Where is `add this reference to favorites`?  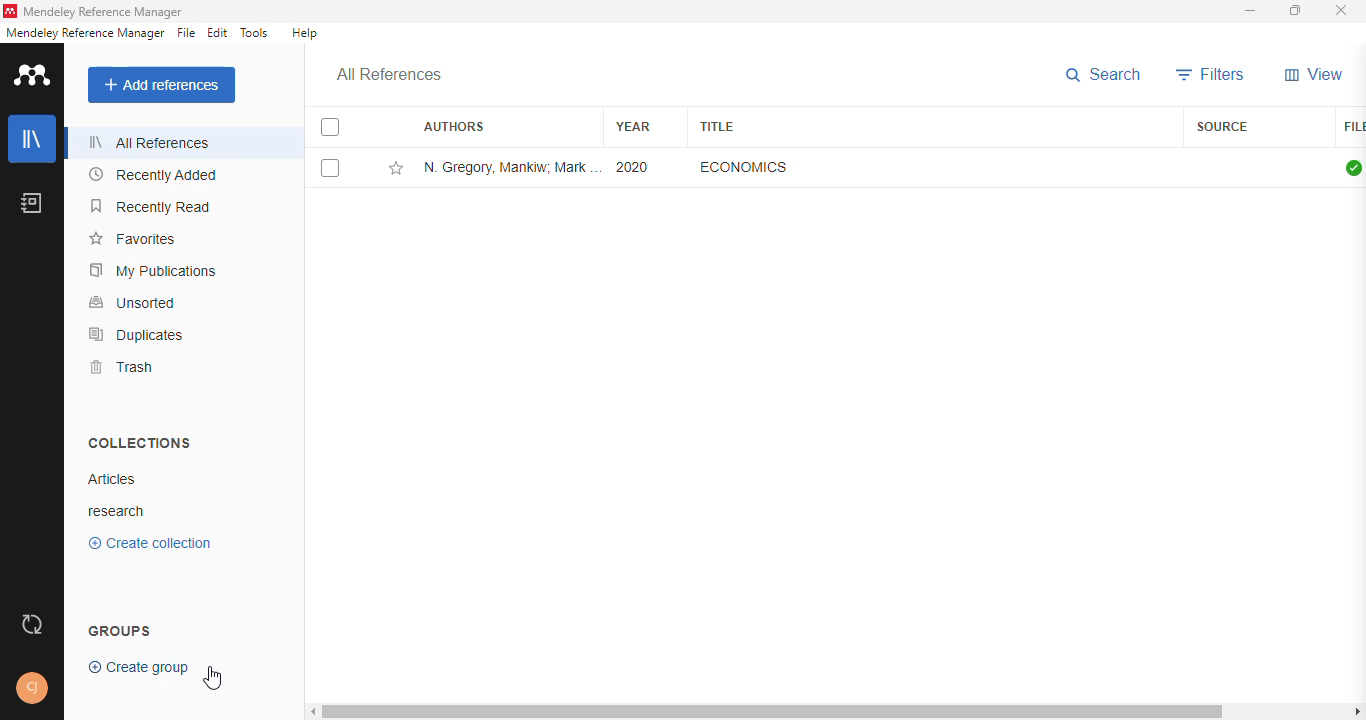 add this reference to favorites is located at coordinates (397, 169).